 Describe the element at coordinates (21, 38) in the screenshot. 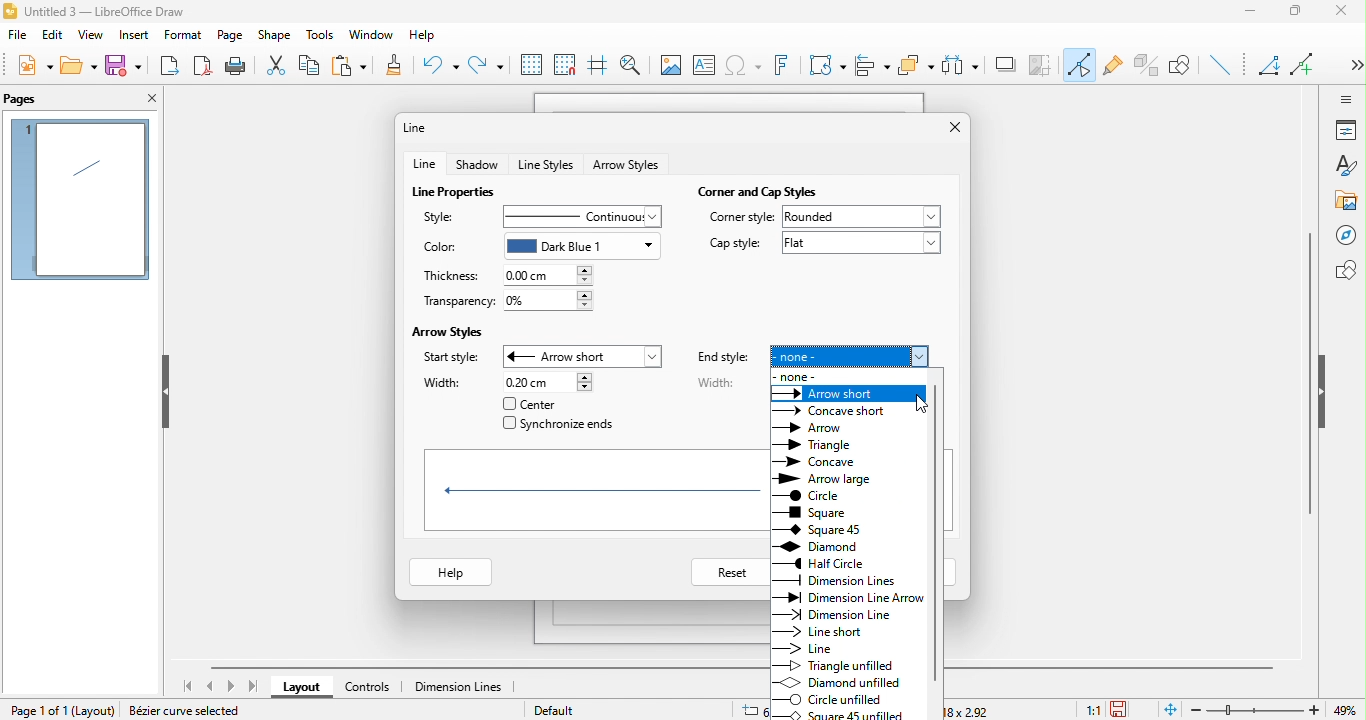

I see `file` at that location.